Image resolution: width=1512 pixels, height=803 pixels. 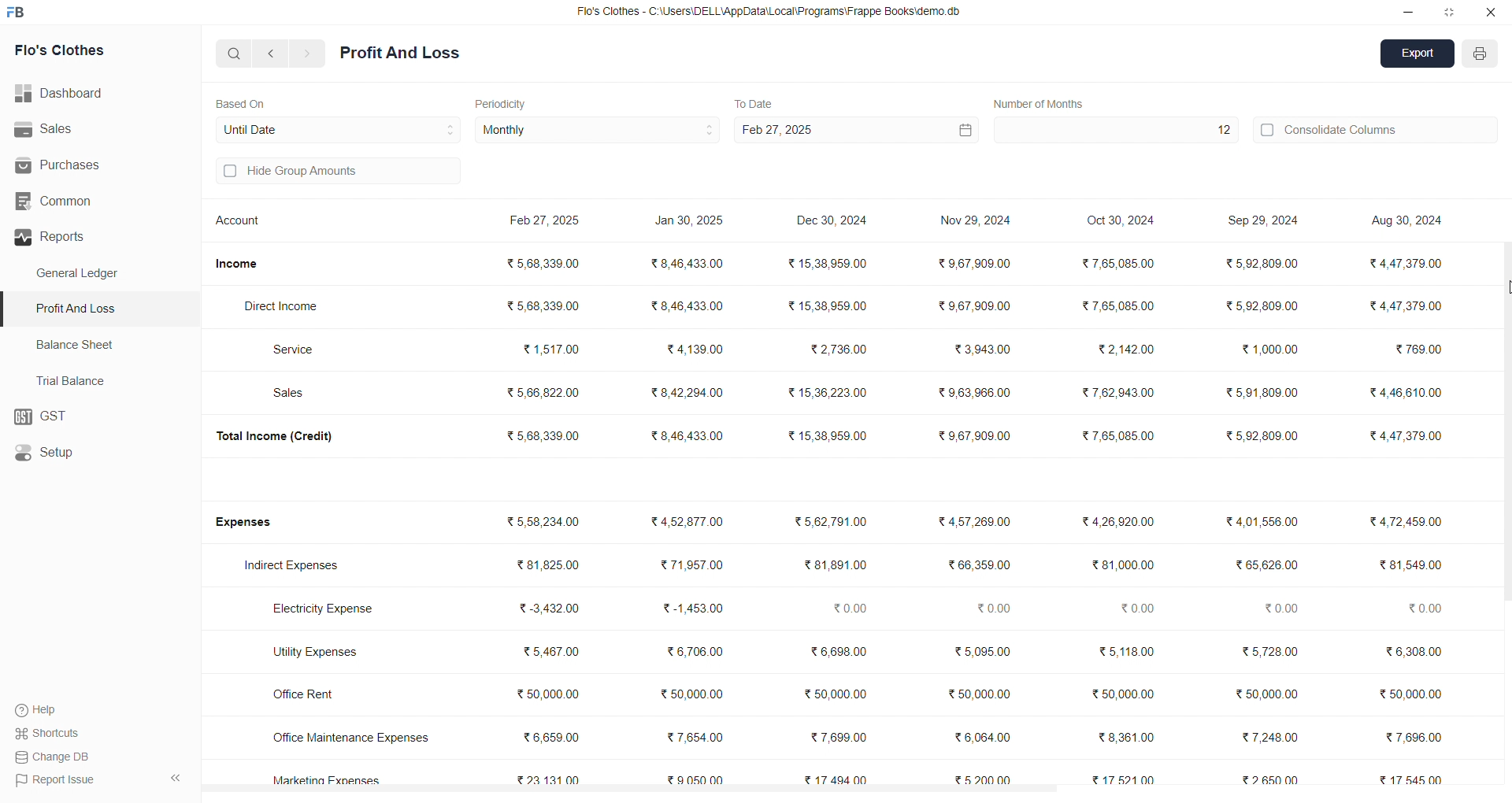 I want to click on ₹-1,453.00, so click(x=690, y=608).